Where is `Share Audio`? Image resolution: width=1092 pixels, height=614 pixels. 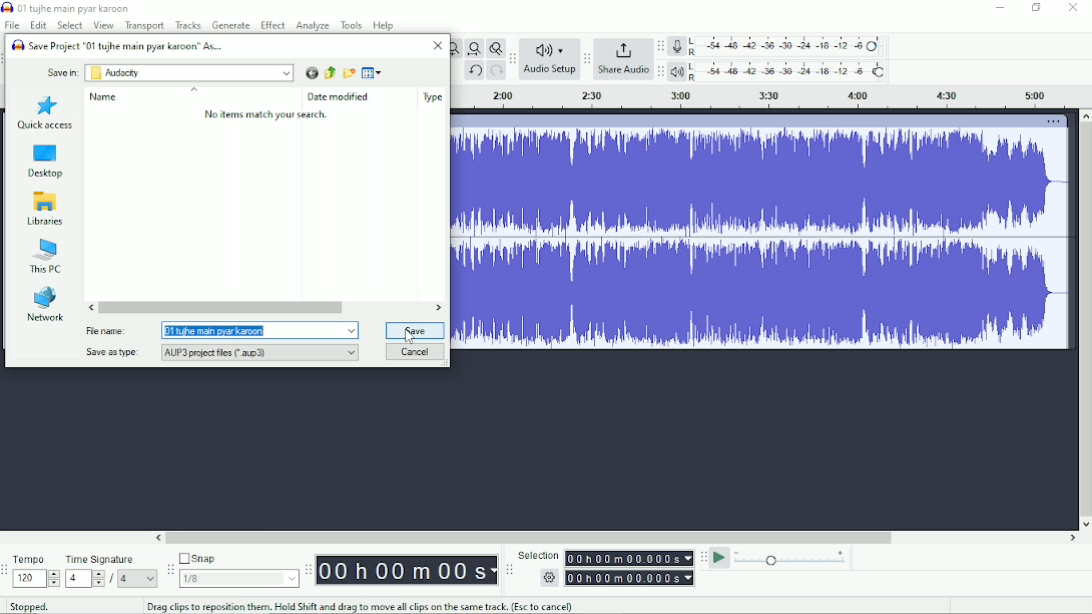 Share Audio is located at coordinates (624, 60).